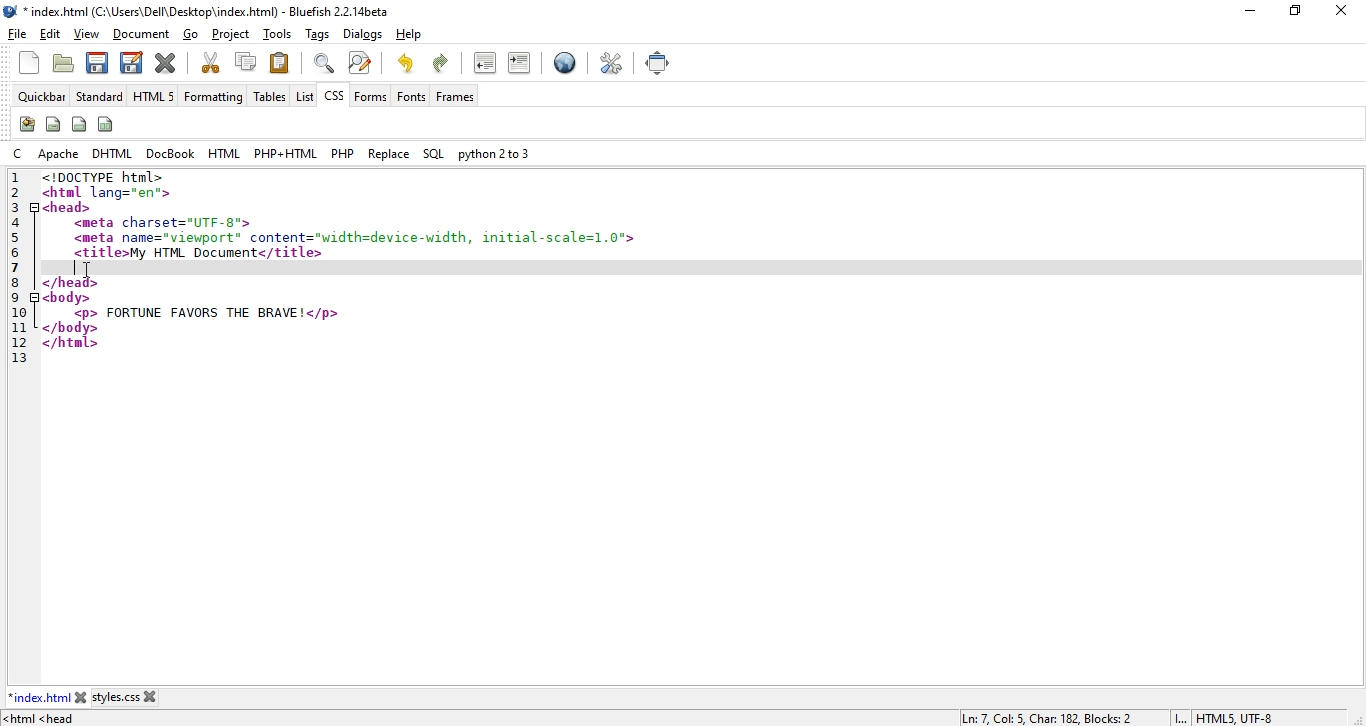 The image size is (1366, 726). What do you see at coordinates (389, 153) in the screenshot?
I see `replace` at bounding box center [389, 153].